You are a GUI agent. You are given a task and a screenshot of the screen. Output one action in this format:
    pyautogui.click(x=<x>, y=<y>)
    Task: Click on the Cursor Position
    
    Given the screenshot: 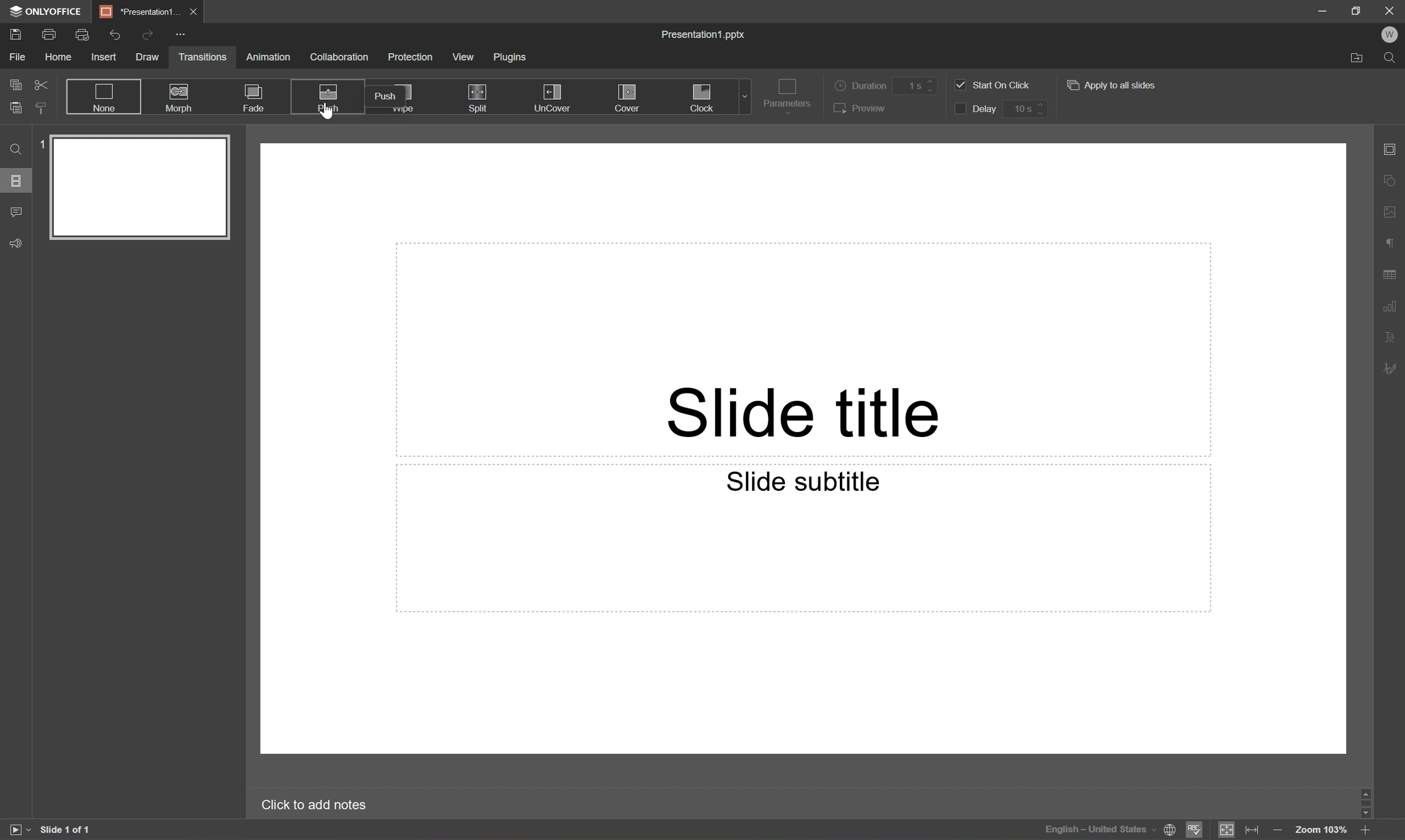 What is the action you would take?
    pyautogui.click(x=327, y=114)
    